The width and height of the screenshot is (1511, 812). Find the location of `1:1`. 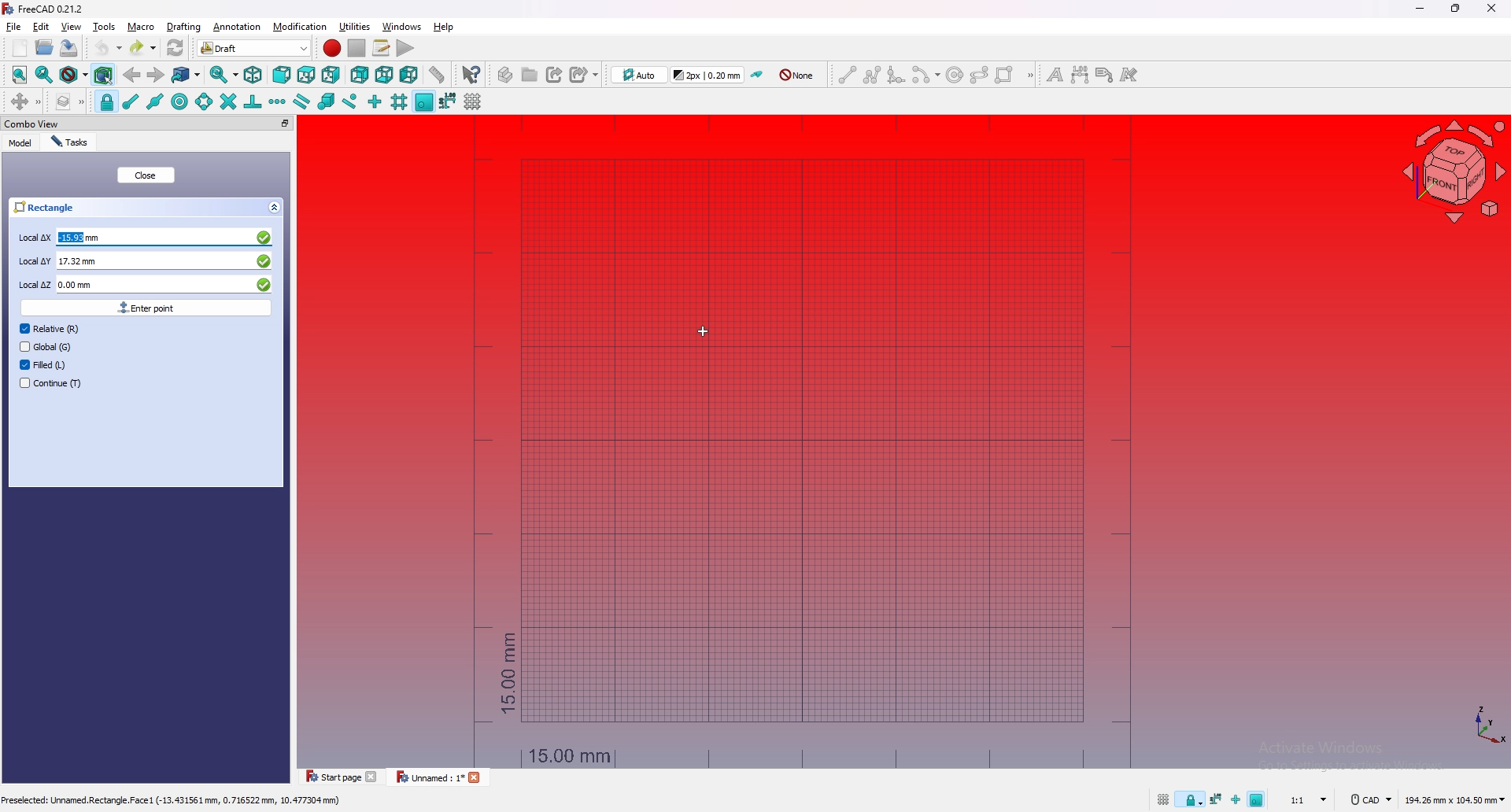

1:1 is located at coordinates (1310, 799).